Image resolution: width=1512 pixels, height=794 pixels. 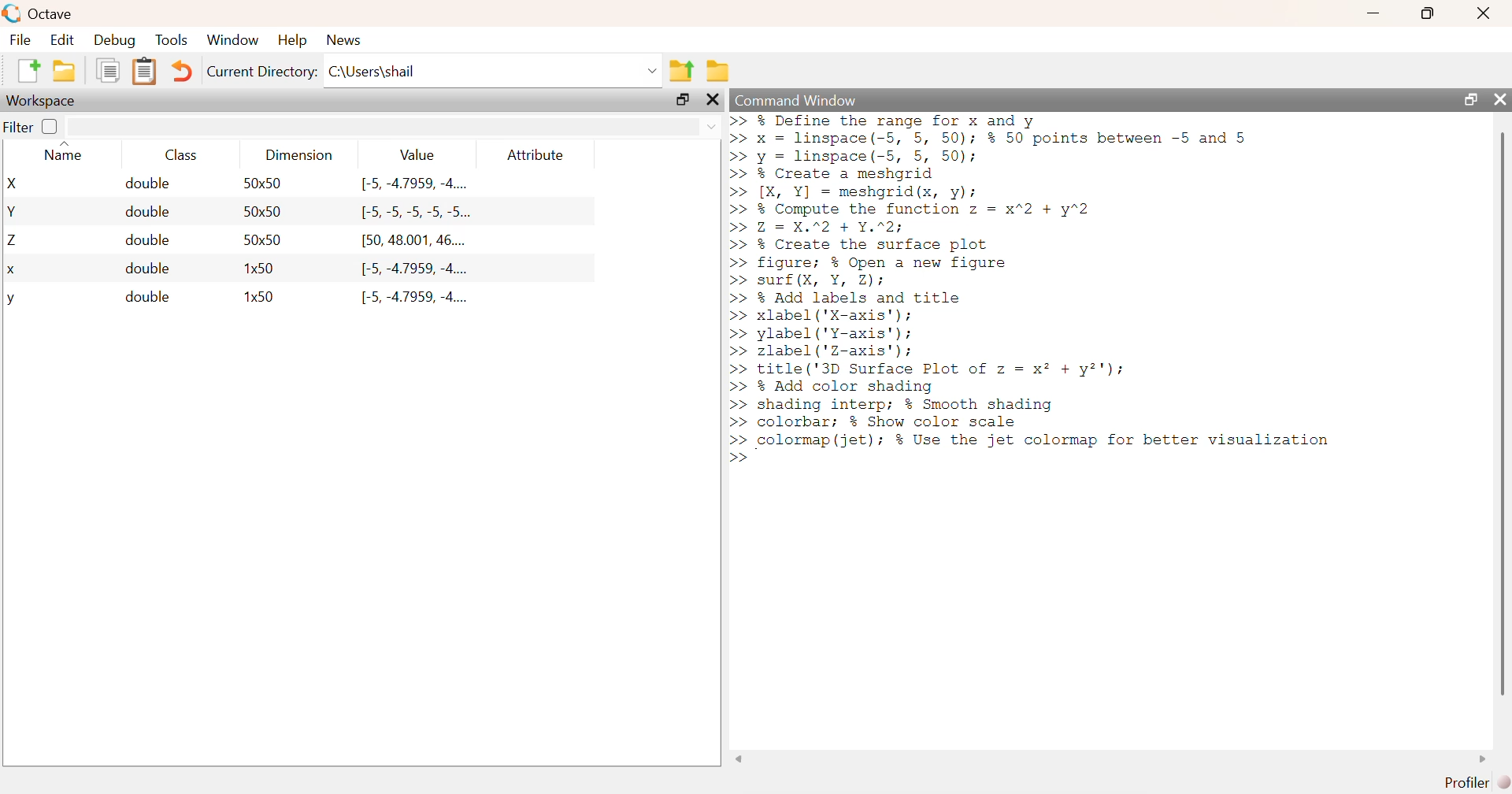 I want to click on [-5,-4.7959, 4...., so click(x=414, y=269).